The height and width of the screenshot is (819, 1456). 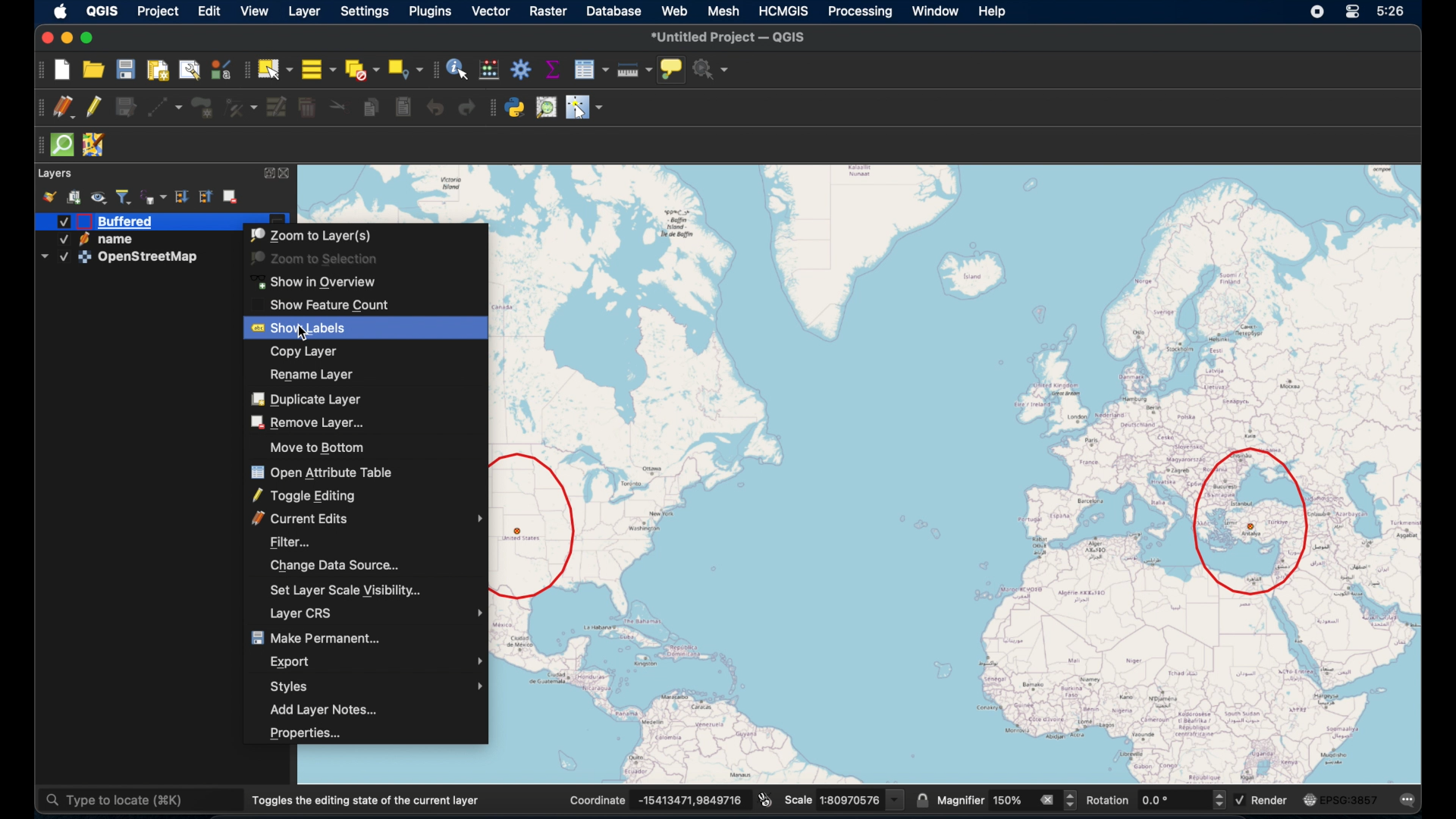 I want to click on all polygon feature, so click(x=202, y=108).